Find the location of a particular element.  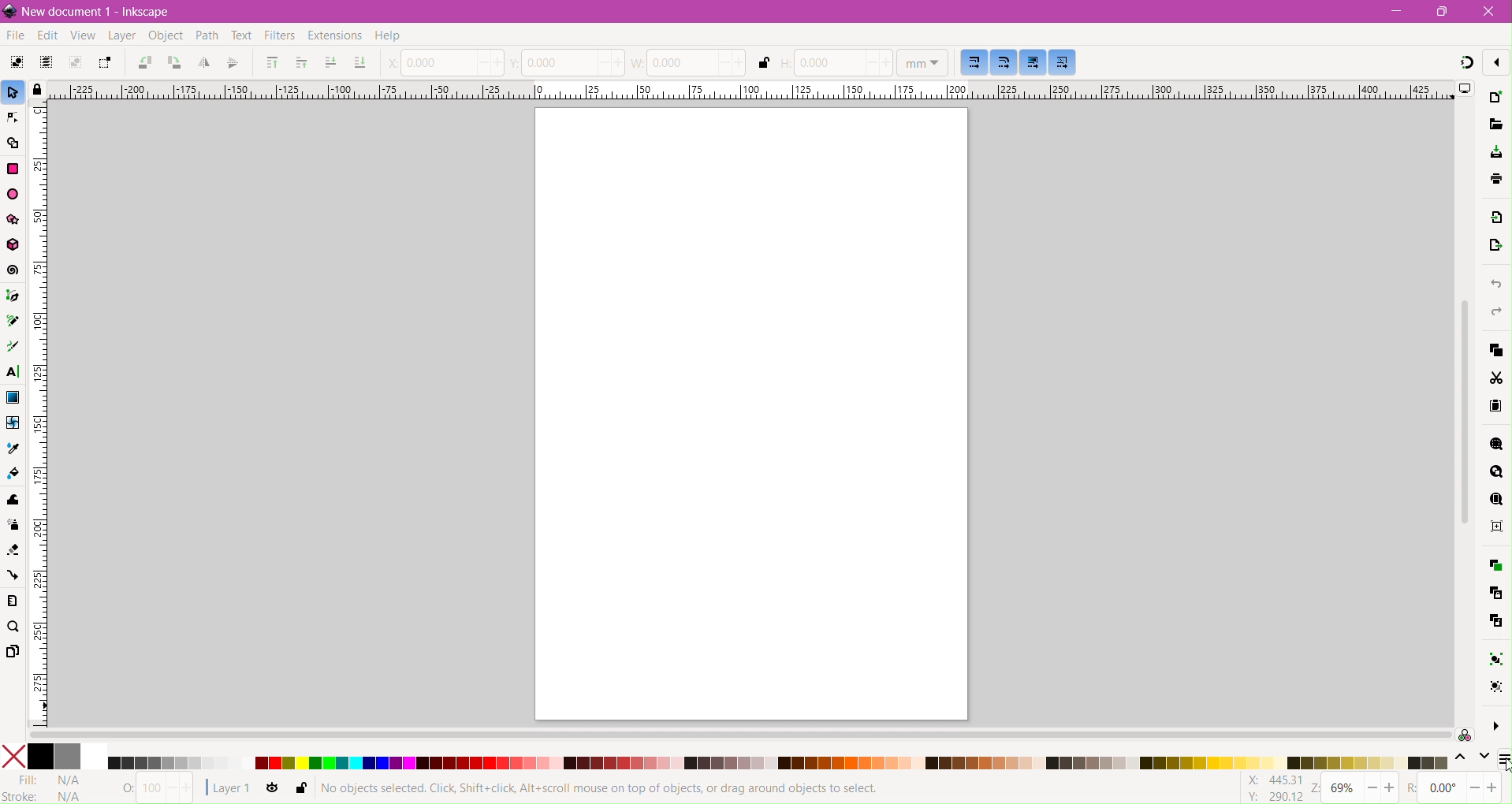

Lower is located at coordinates (330, 61).